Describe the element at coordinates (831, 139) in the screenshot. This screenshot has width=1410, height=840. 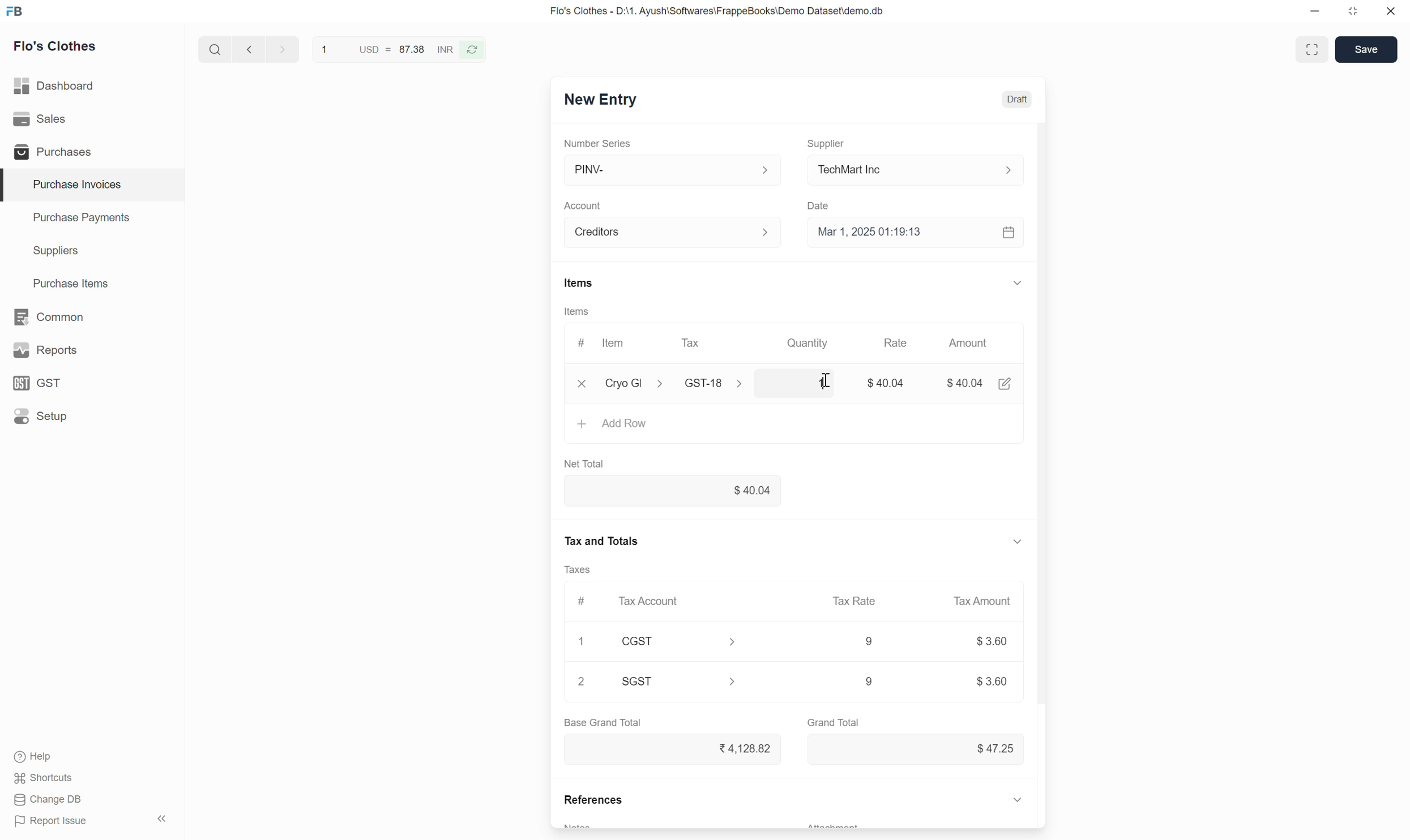
I see `Supplier` at that location.